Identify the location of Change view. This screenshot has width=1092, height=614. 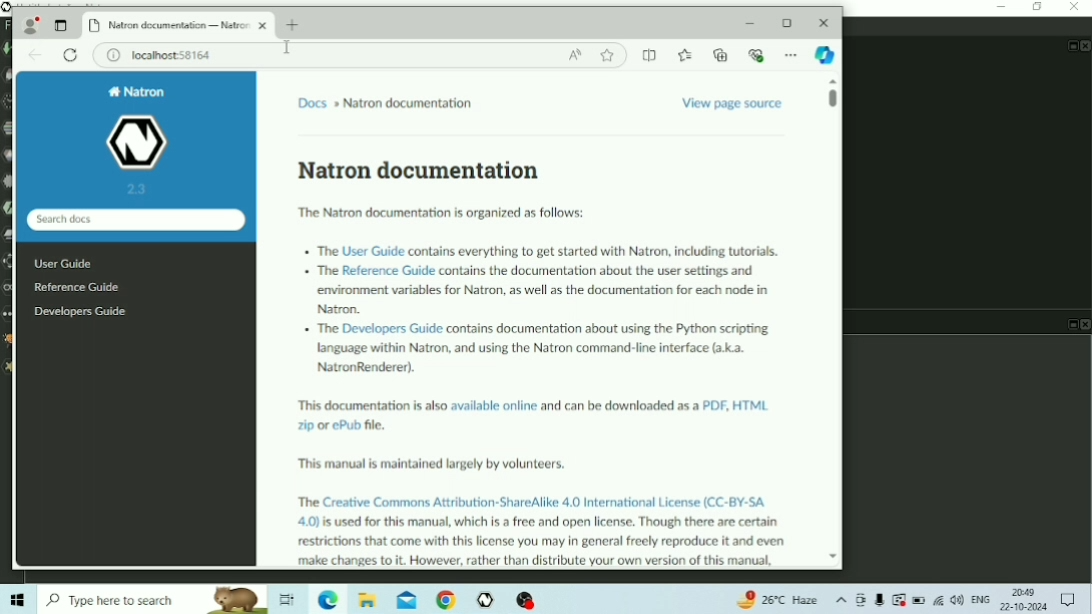
(63, 25).